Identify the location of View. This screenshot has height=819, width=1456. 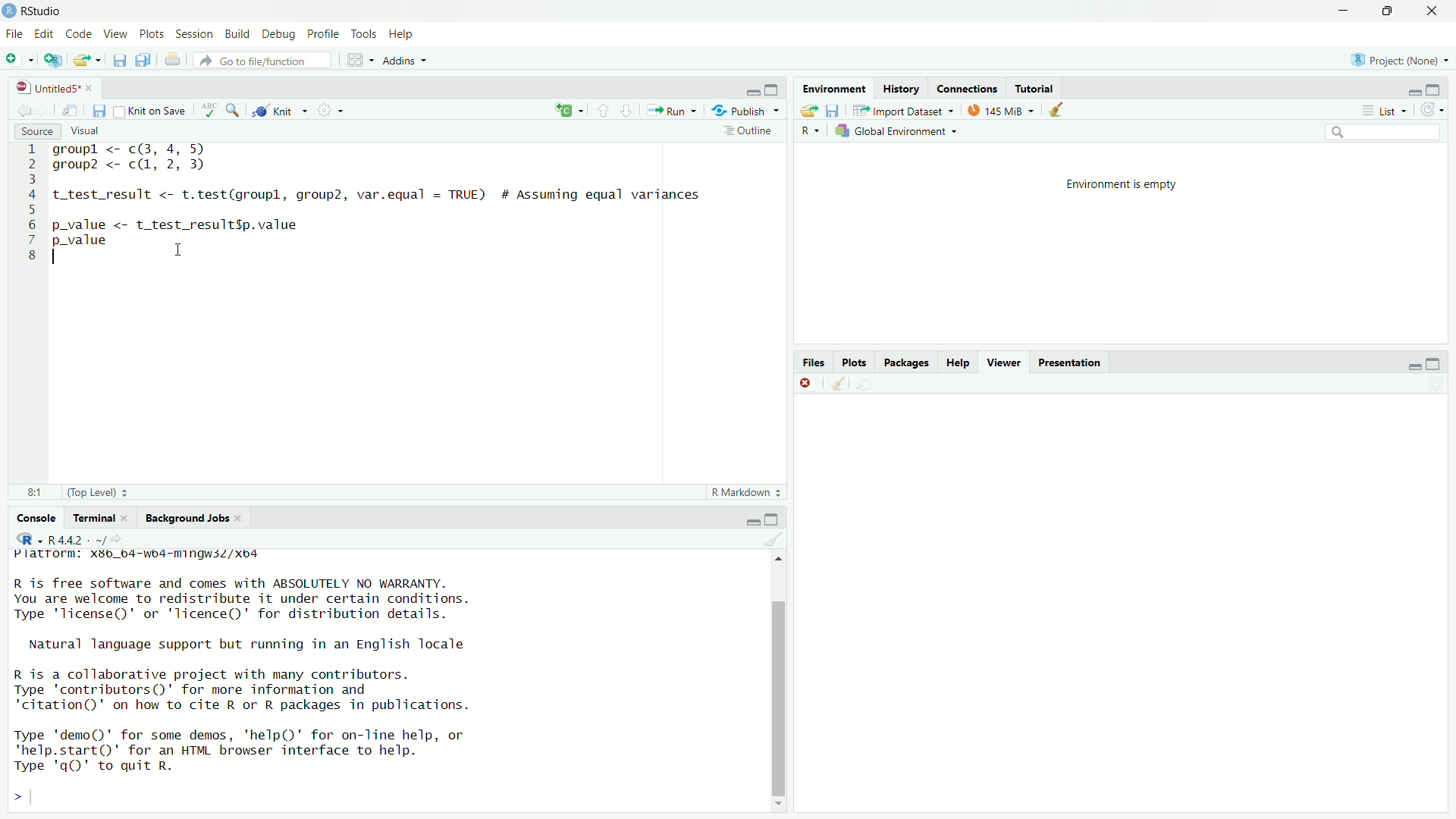
(115, 30).